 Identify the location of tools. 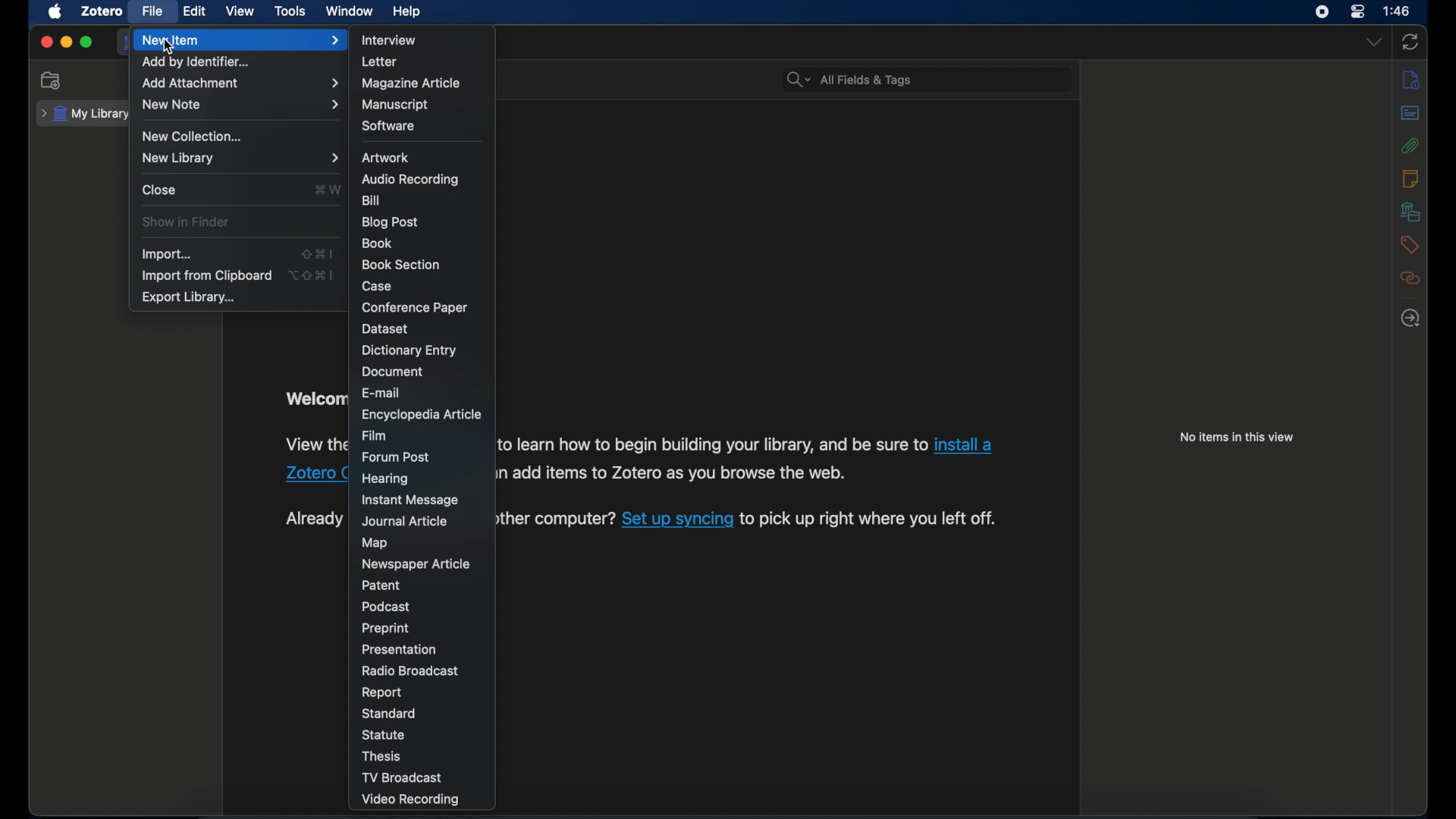
(290, 10).